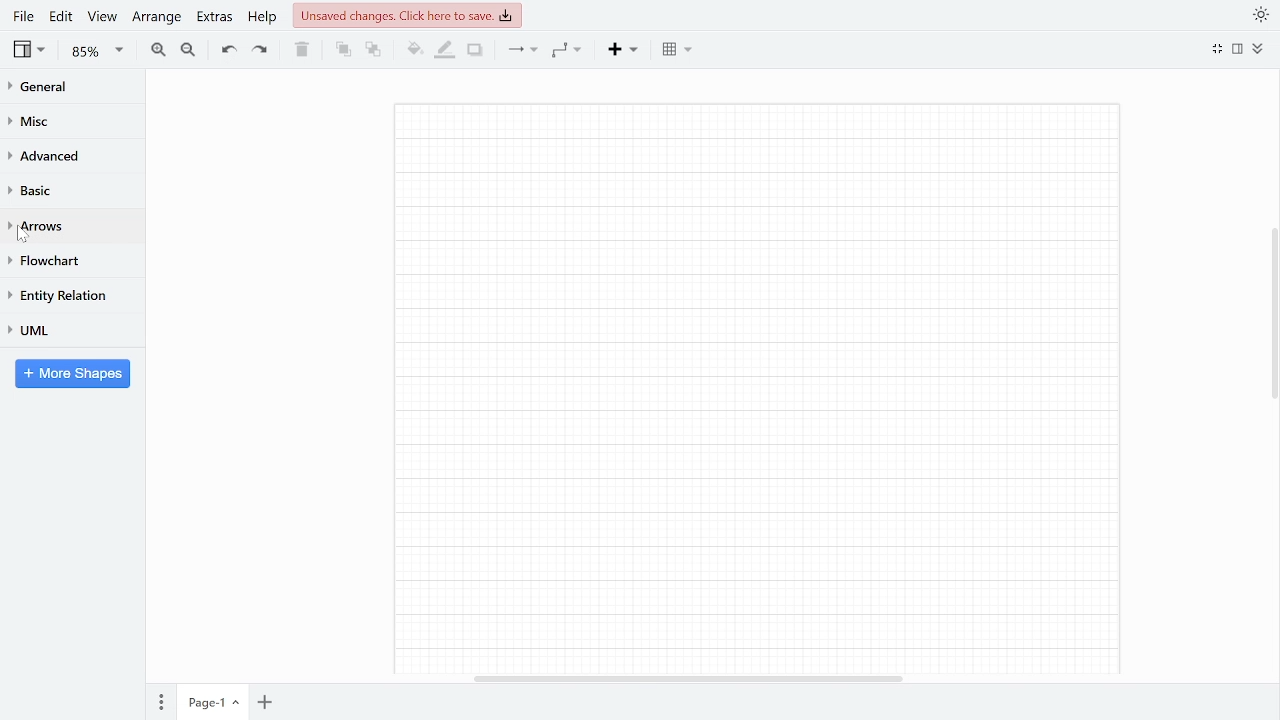 This screenshot has height=720, width=1280. What do you see at coordinates (61, 16) in the screenshot?
I see `EDit` at bounding box center [61, 16].